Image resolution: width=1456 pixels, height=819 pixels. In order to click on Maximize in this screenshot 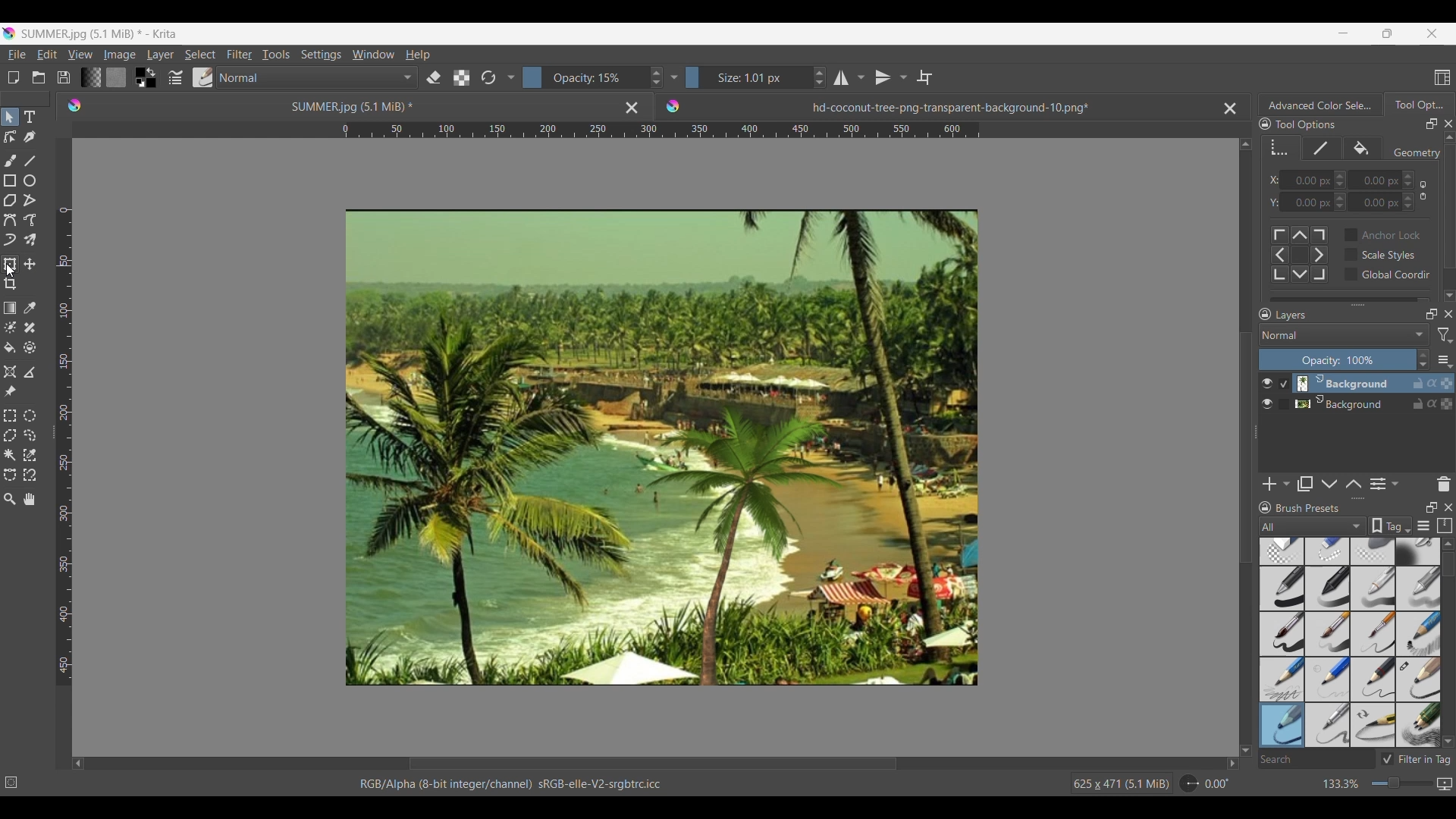, I will do `click(1447, 380)`.